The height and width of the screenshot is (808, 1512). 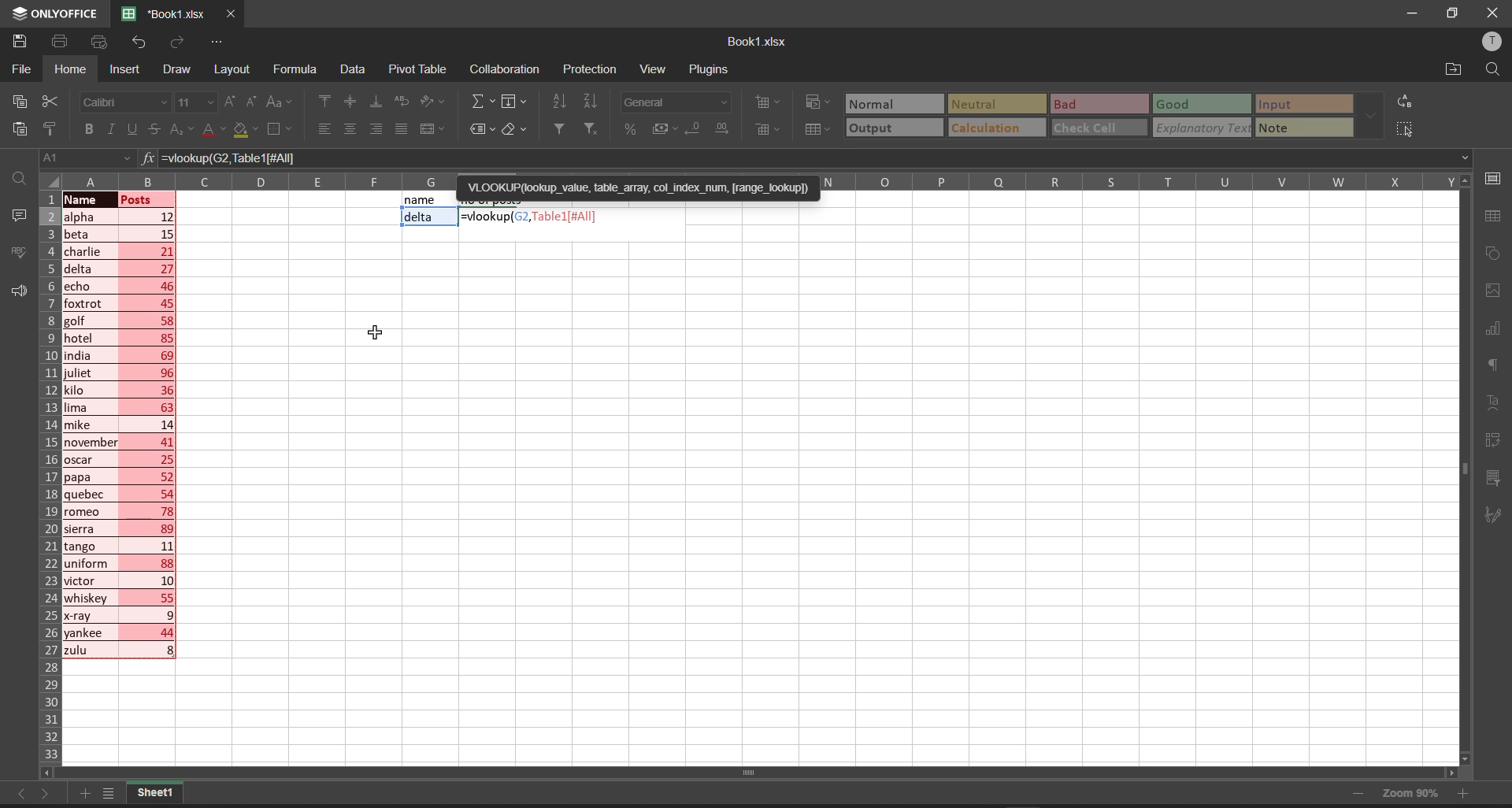 I want to click on plugins, so click(x=710, y=69).